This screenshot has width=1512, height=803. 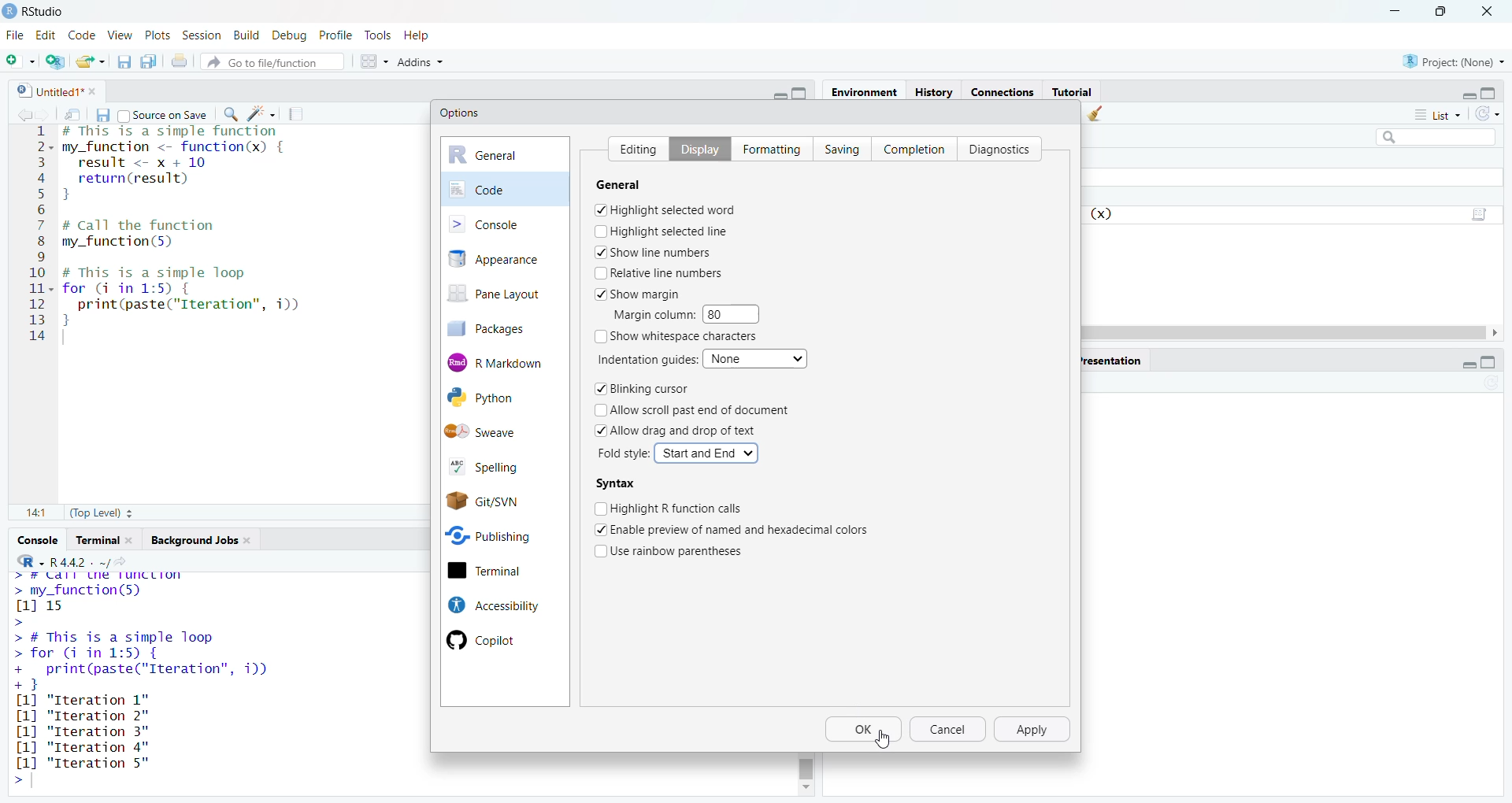 What do you see at coordinates (16, 781) in the screenshot?
I see `prompt cursor` at bounding box center [16, 781].